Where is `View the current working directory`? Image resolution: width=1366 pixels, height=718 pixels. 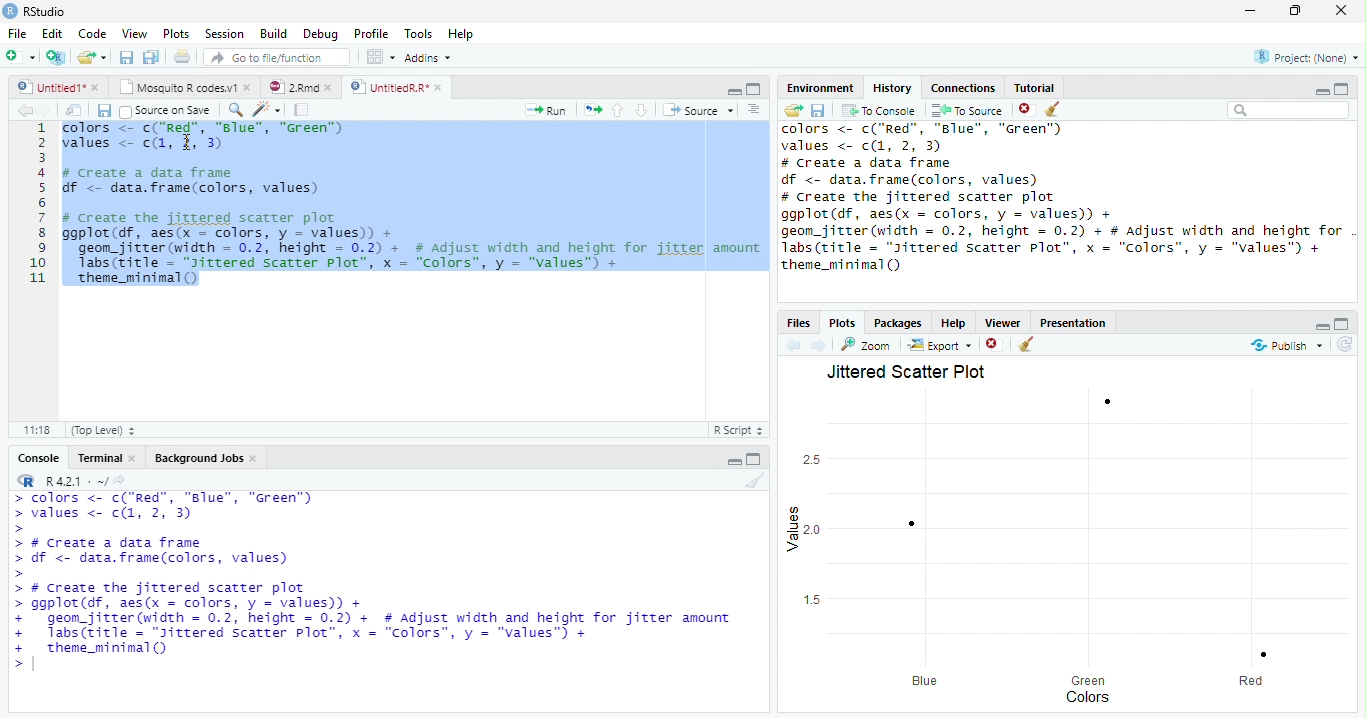 View the current working directory is located at coordinates (121, 480).